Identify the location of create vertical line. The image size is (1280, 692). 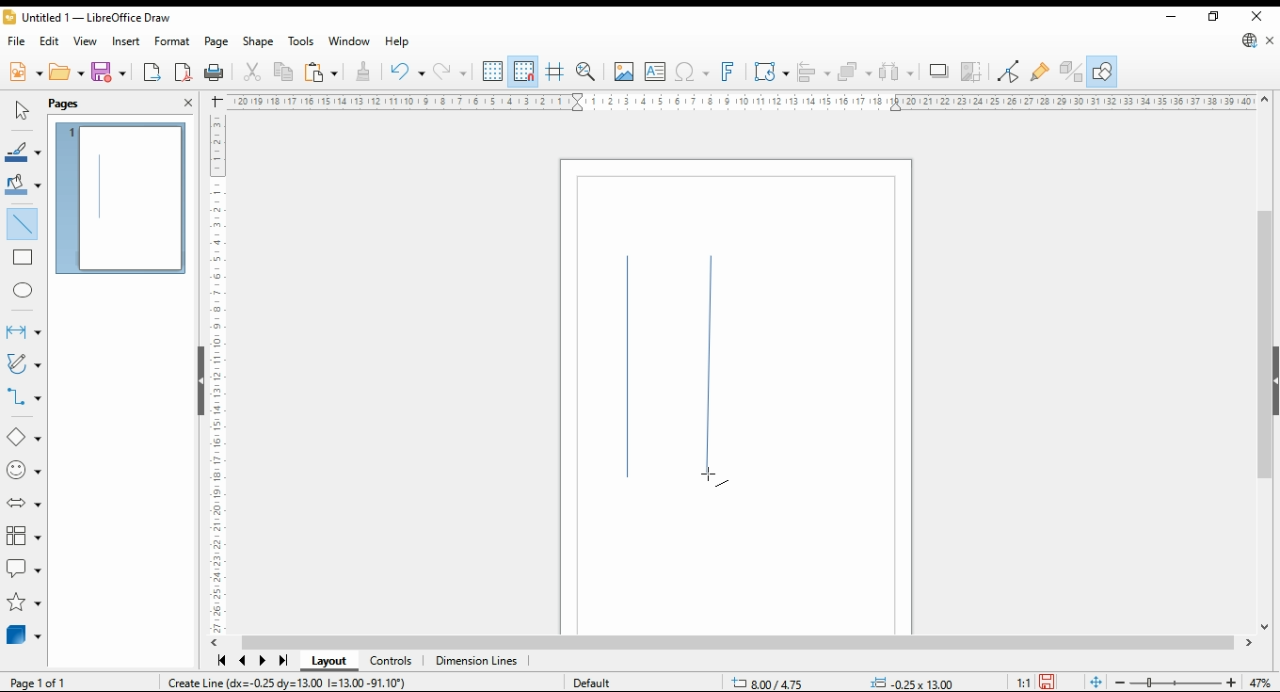
(314, 683).